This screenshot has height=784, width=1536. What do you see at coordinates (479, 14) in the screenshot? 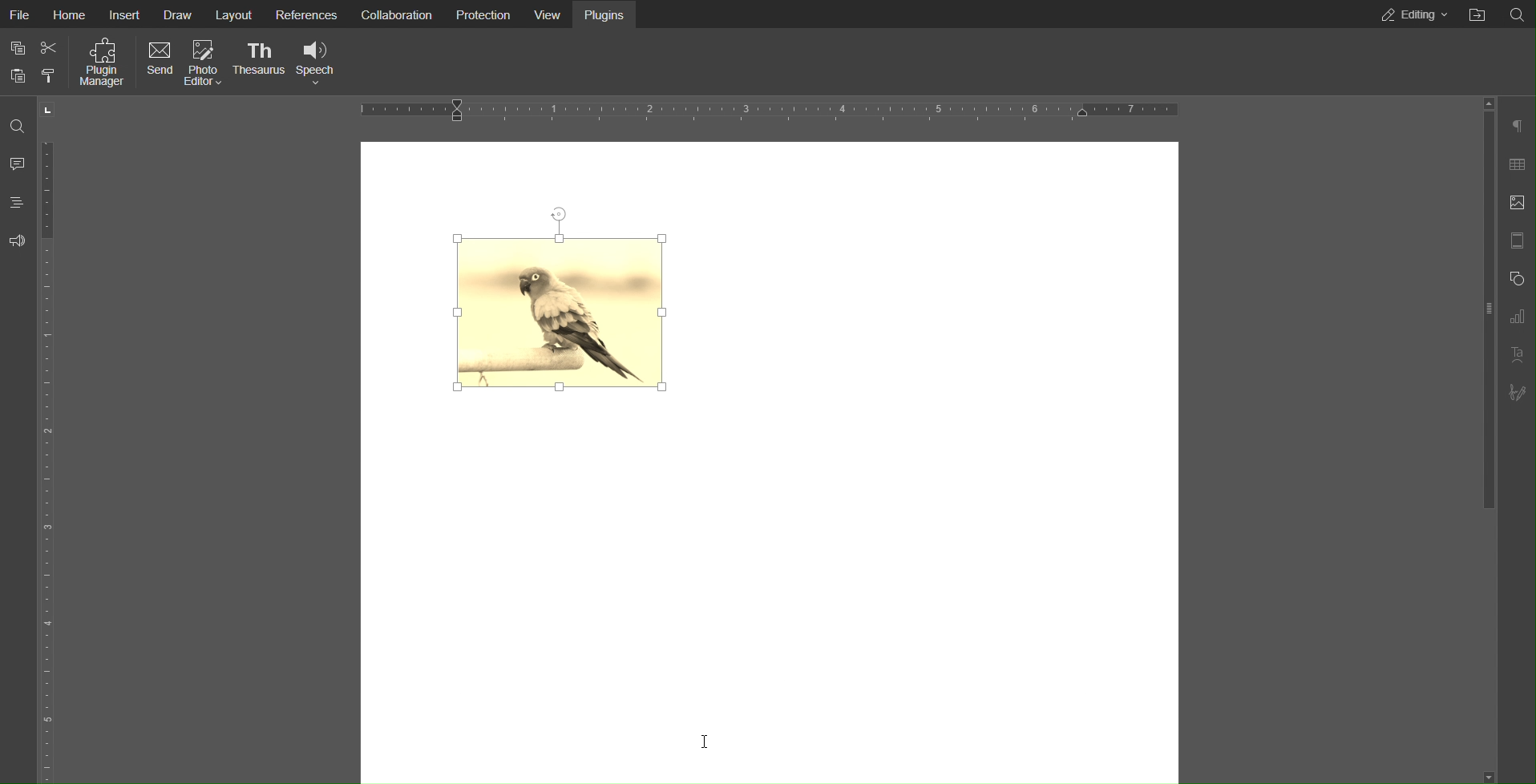
I see `Protection` at bounding box center [479, 14].